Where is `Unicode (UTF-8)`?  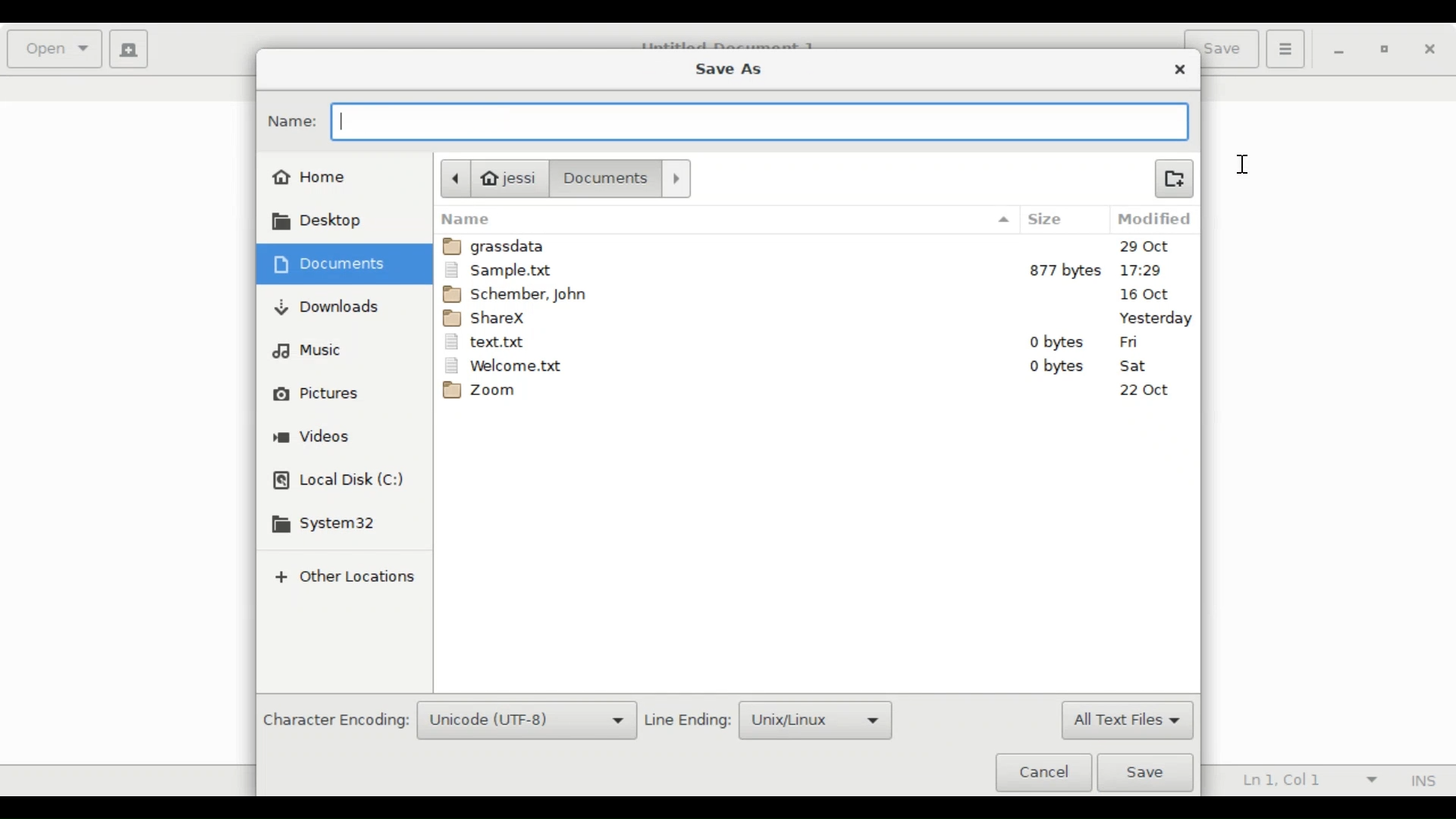 Unicode (UTF-8) is located at coordinates (527, 721).